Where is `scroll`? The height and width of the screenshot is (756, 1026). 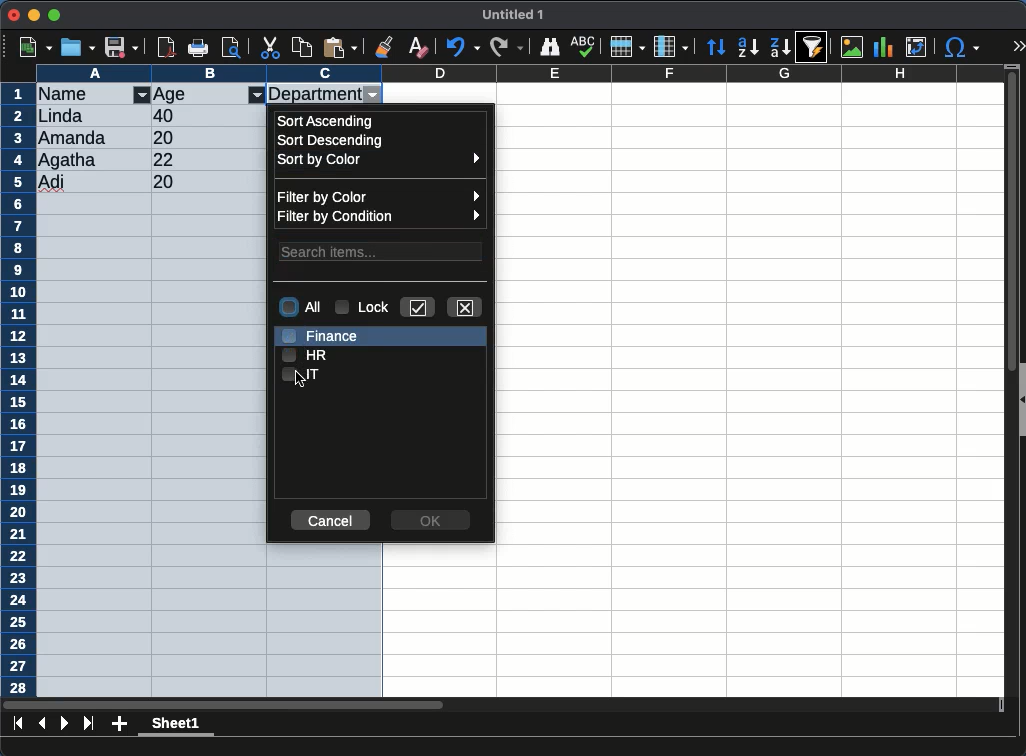 scroll is located at coordinates (1004, 386).